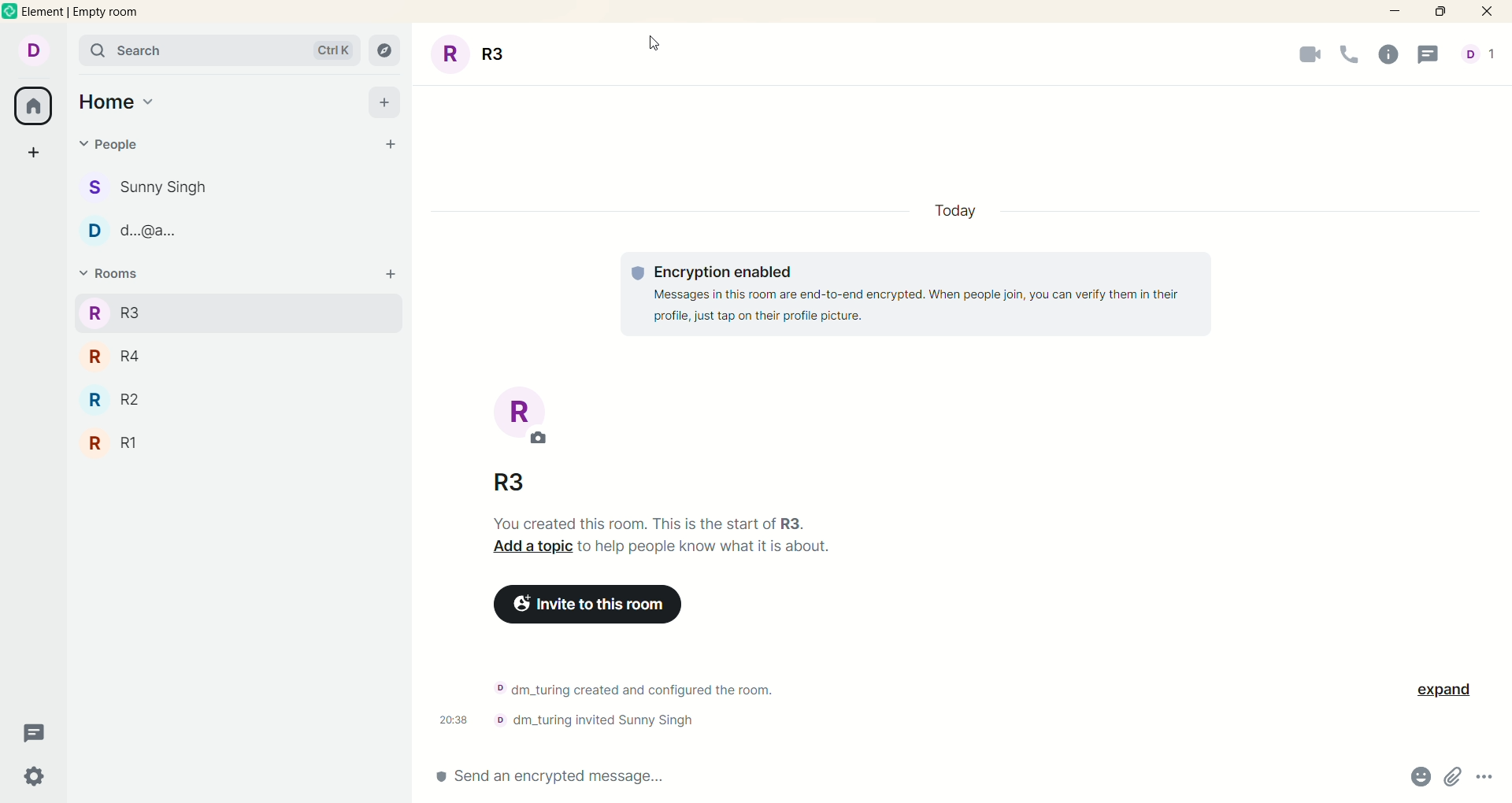 The height and width of the screenshot is (803, 1512). What do you see at coordinates (391, 278) in the screenshot?
I see `add` at bounding box center [391, 278].